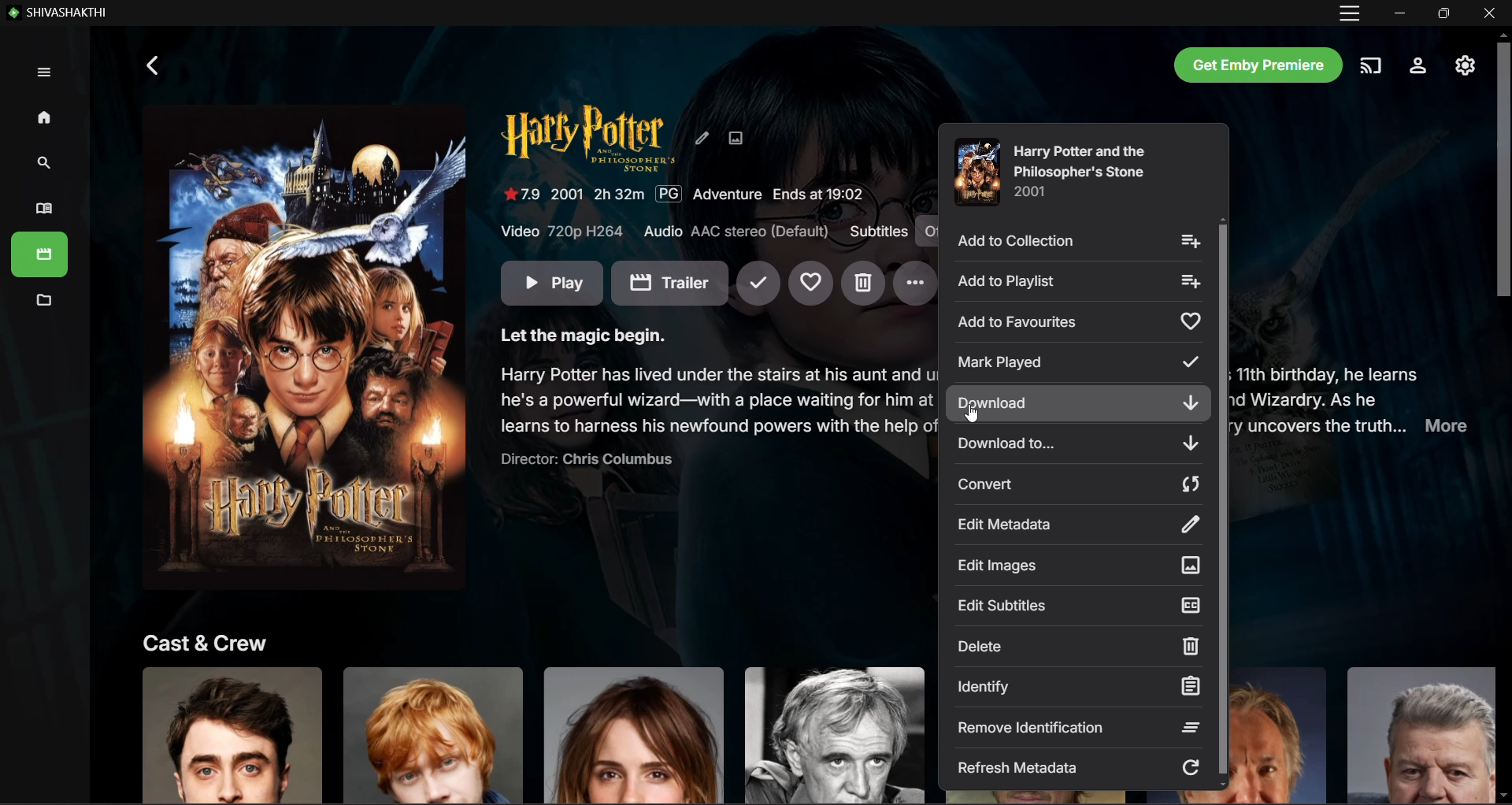 Image resolution: width=1512 pixels, height=805 pixels. Describe the element at coordinates (39, 164) in the screenshot. I see `Search` at that location.